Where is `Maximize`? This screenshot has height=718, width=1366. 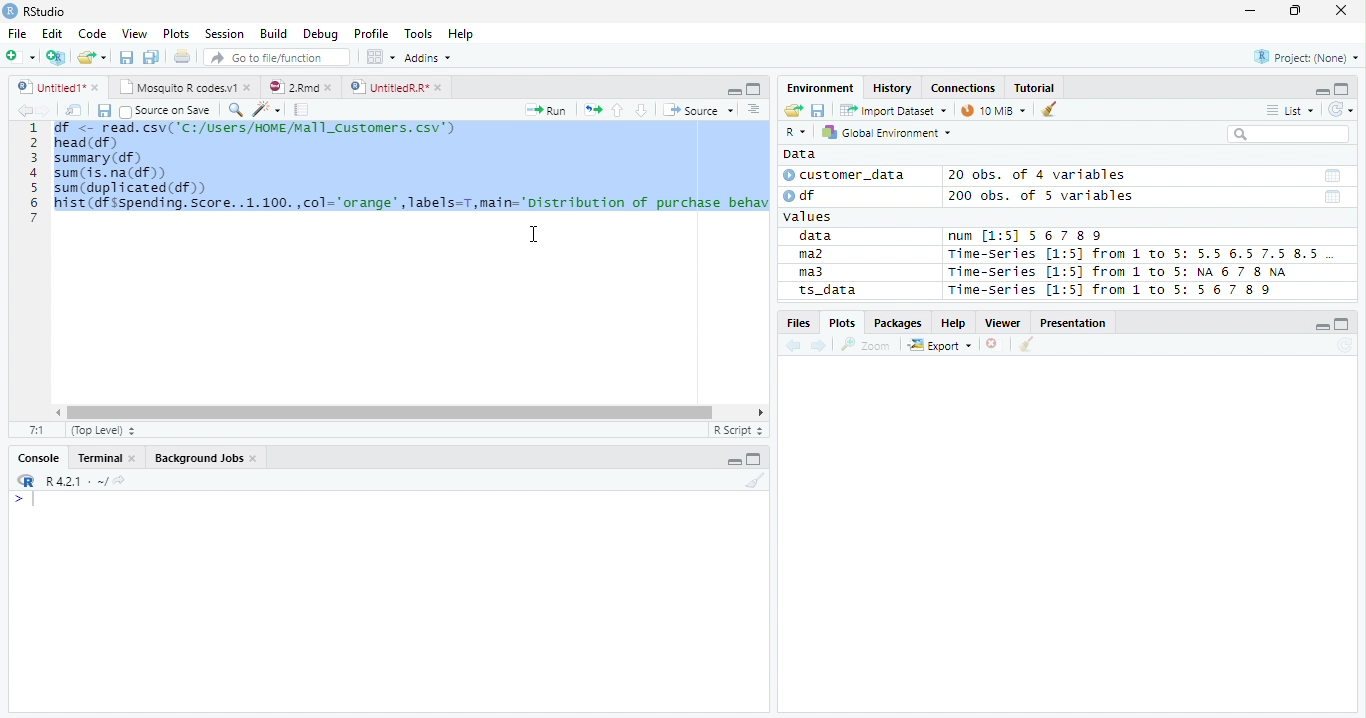 Maximize is located at coordinates (1344, 324).